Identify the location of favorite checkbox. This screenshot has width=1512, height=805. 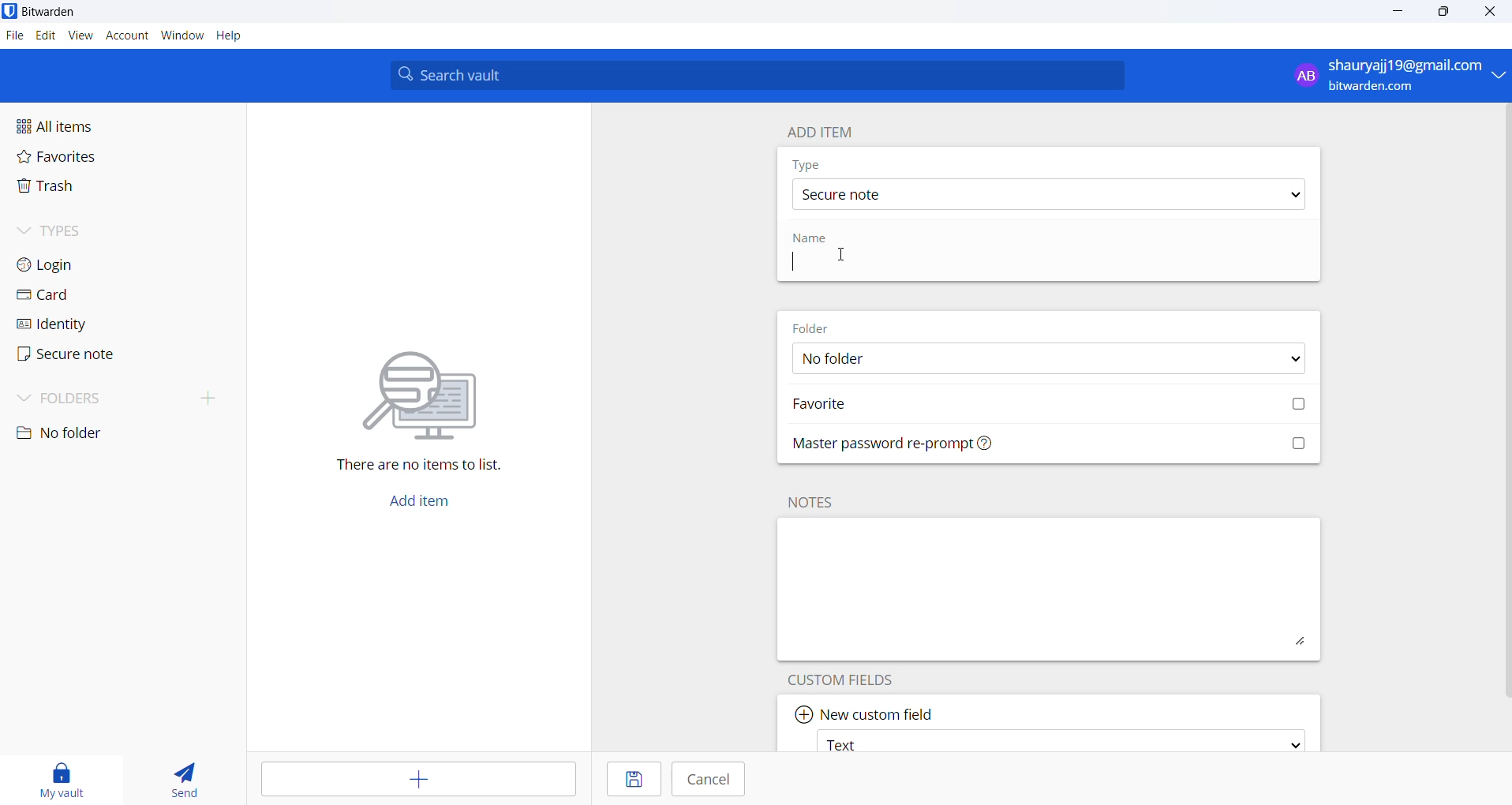
(1052, 406).